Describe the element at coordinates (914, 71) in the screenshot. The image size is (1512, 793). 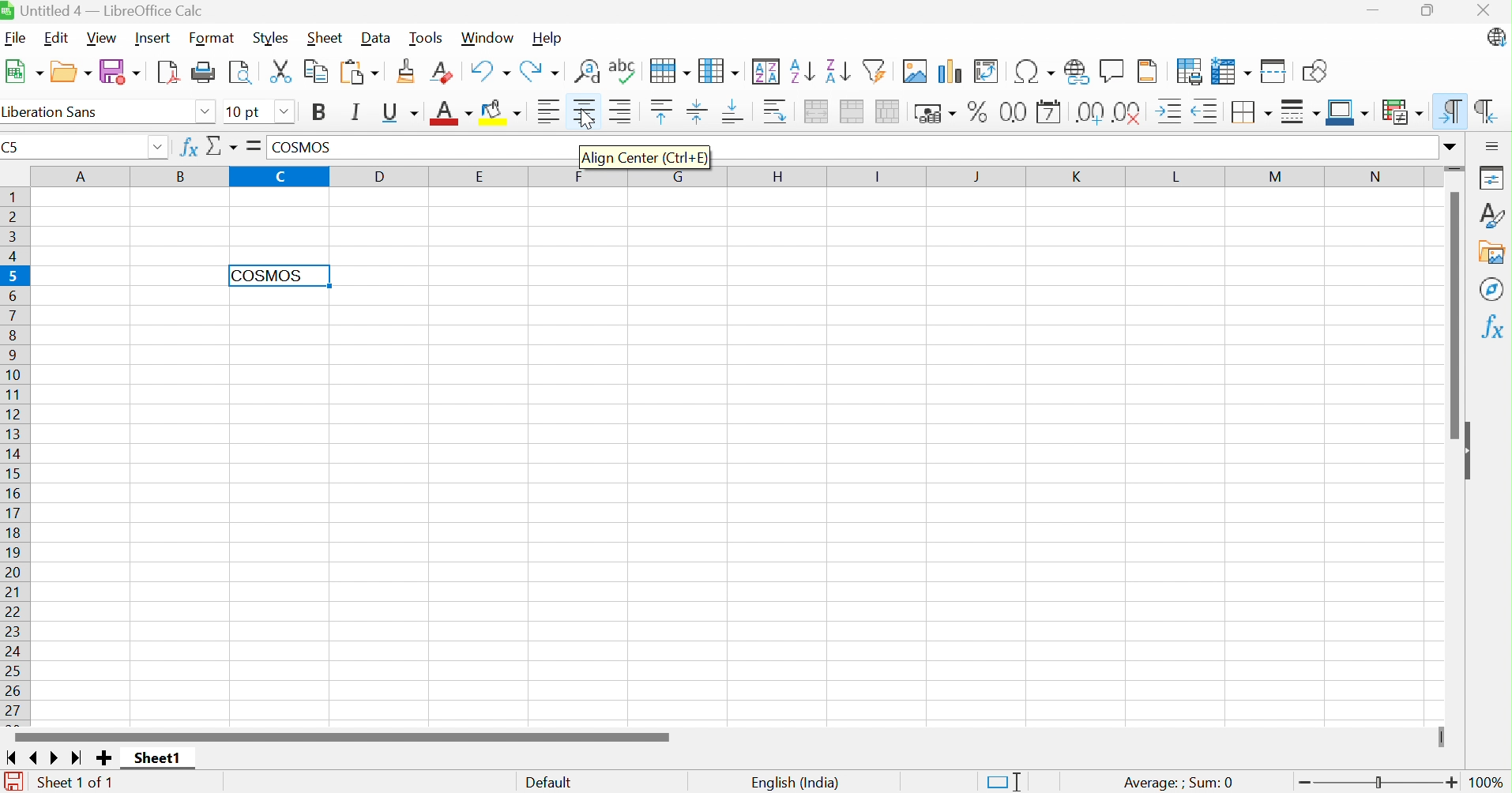
I see `Insert Image` at that location.